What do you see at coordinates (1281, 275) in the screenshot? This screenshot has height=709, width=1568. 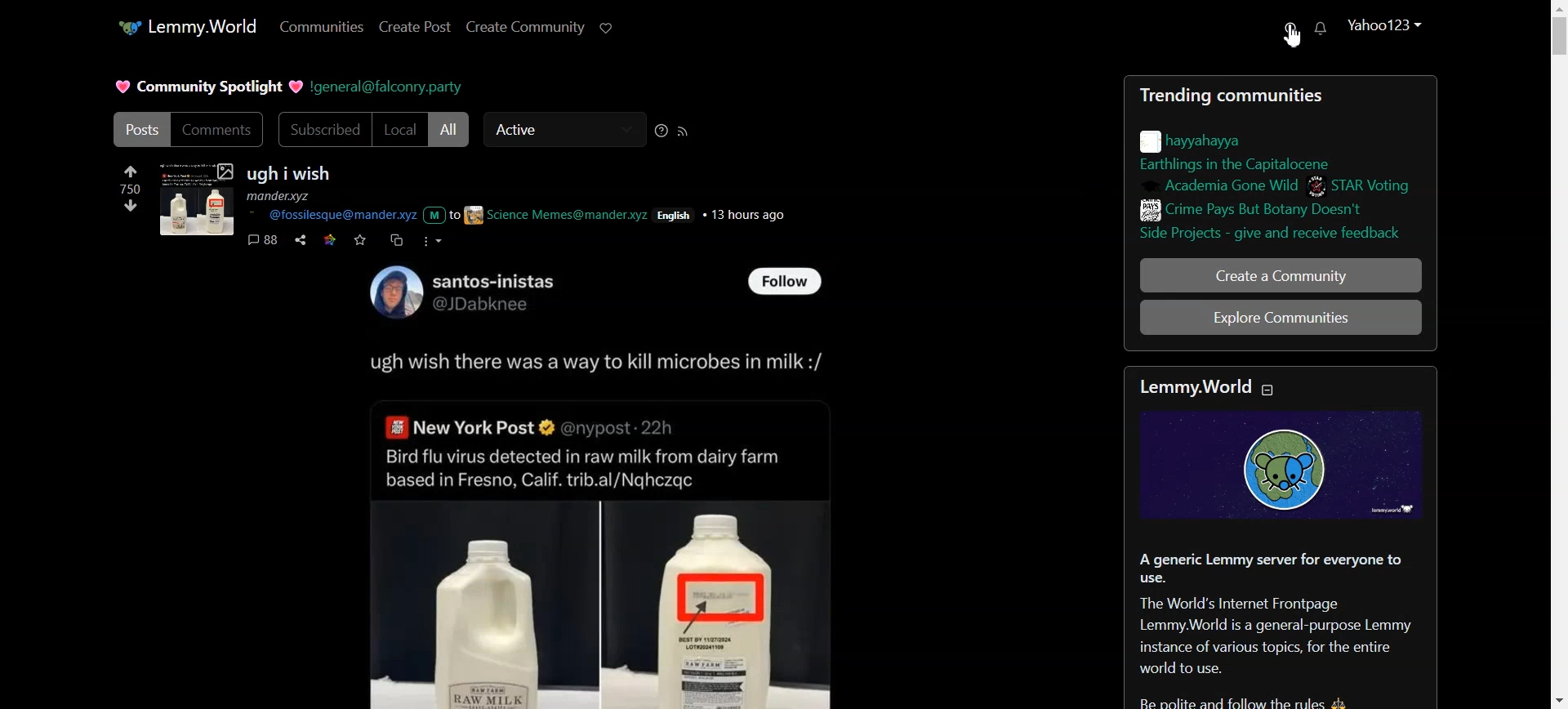 I see `Create a Community` at bounding box center [1281, 275].